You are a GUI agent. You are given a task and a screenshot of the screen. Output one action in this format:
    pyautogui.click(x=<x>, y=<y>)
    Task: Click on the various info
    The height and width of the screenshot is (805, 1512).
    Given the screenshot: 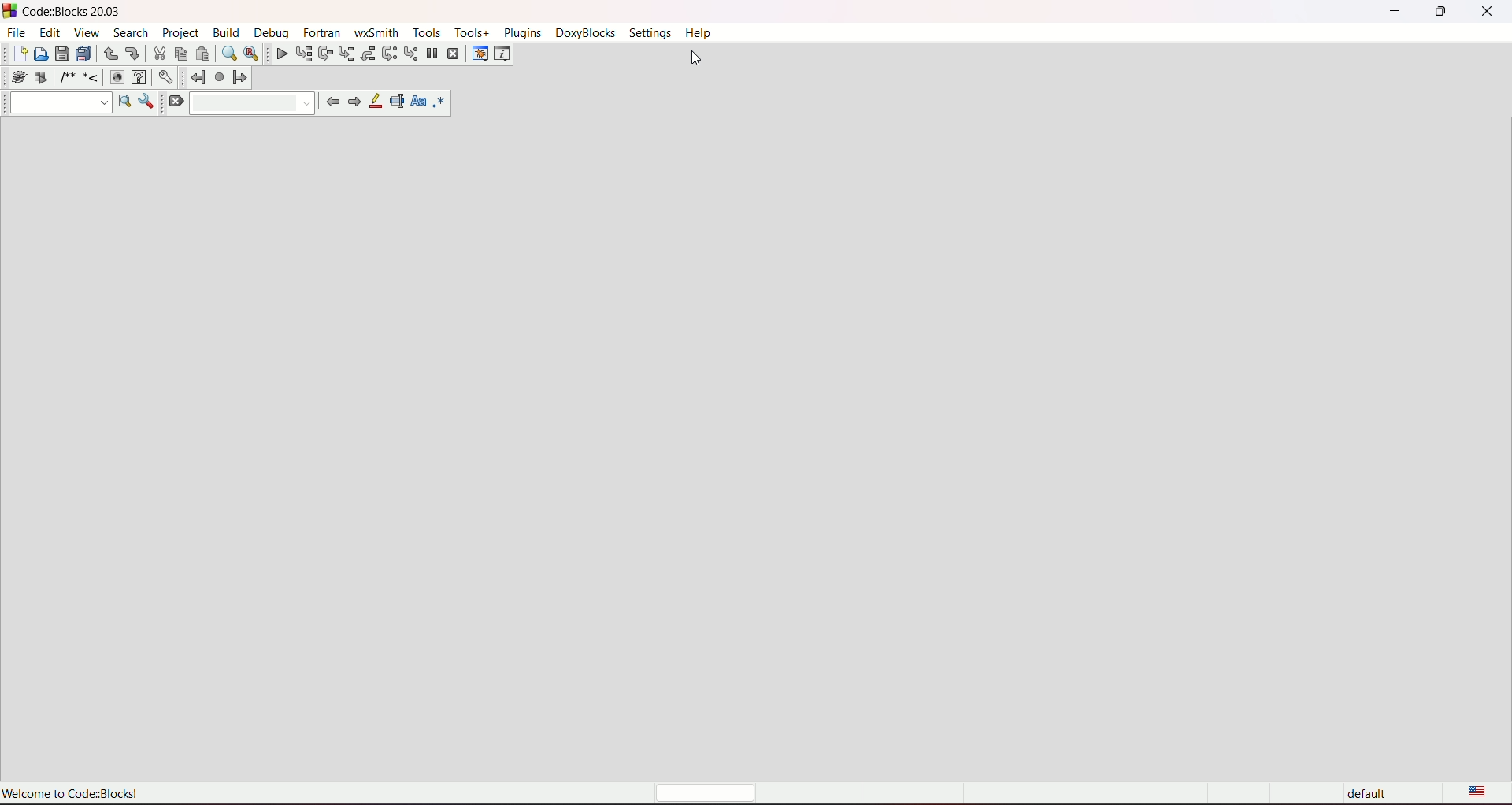 What is the action you would take?
    pyautogui.click(x=506, y=54)
    